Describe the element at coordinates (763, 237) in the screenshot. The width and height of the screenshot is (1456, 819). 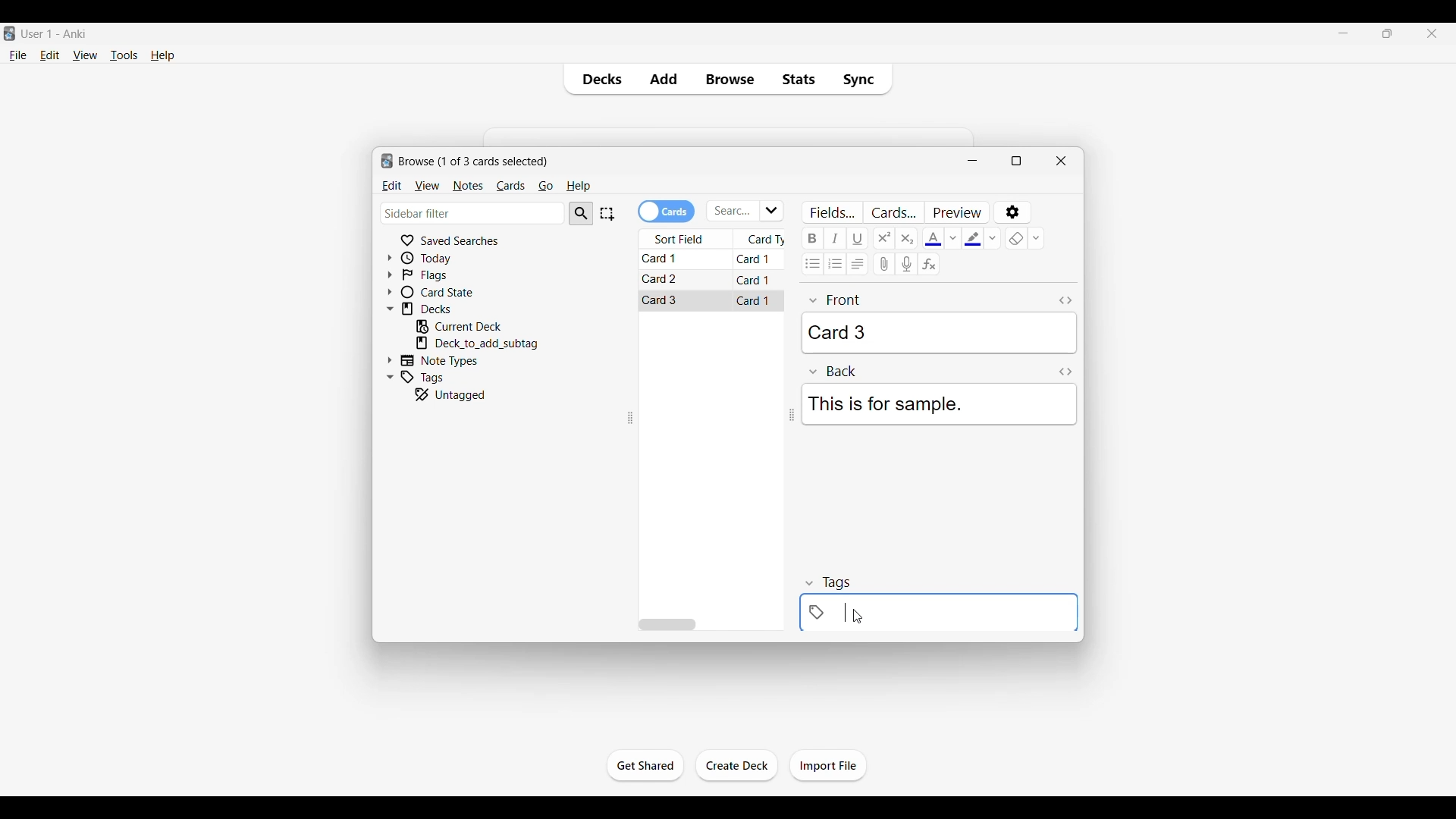
I see `Card type column` at that location.